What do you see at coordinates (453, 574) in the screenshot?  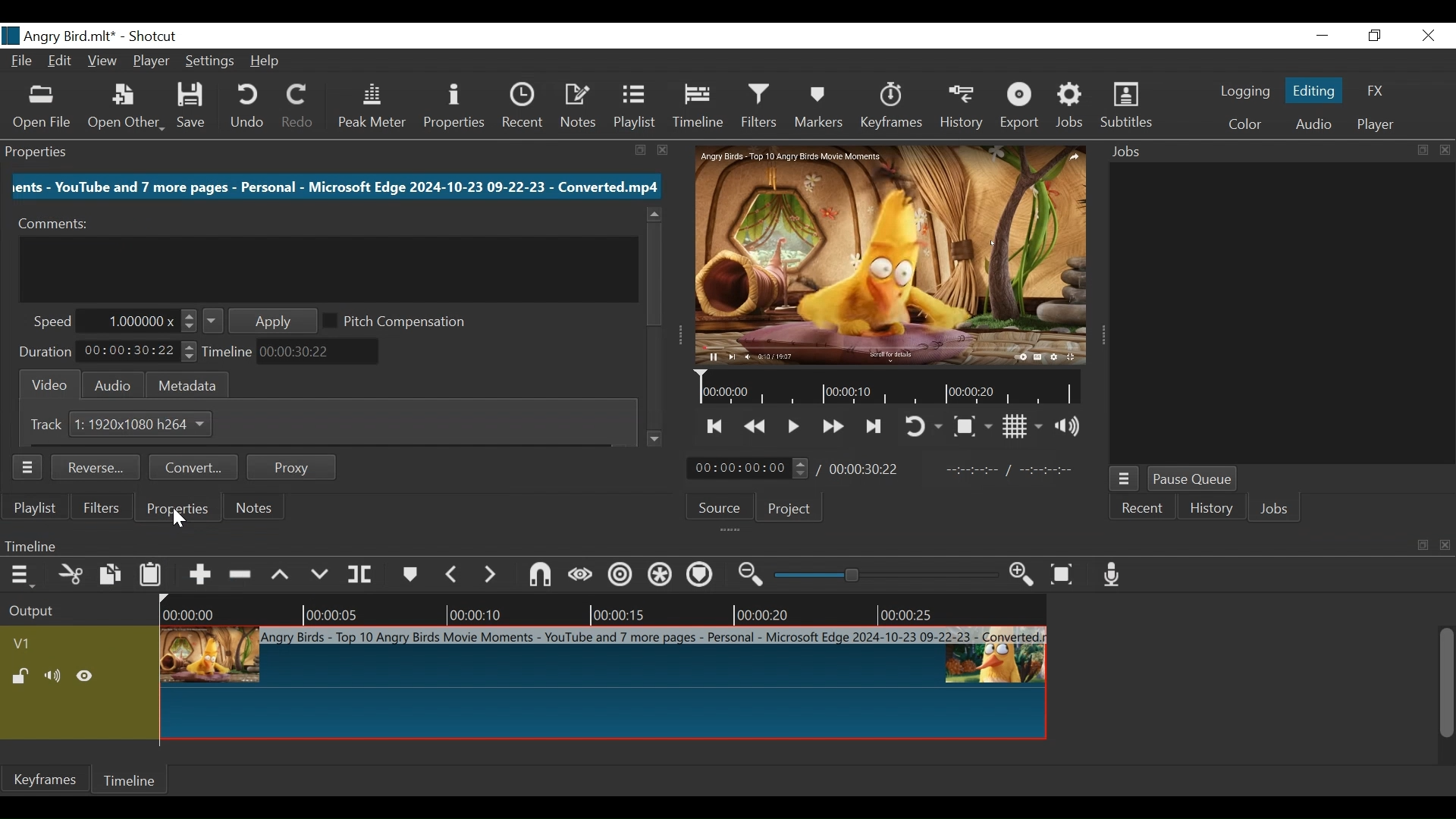 I see `Previous Marker` at bounding box center [453, 574].